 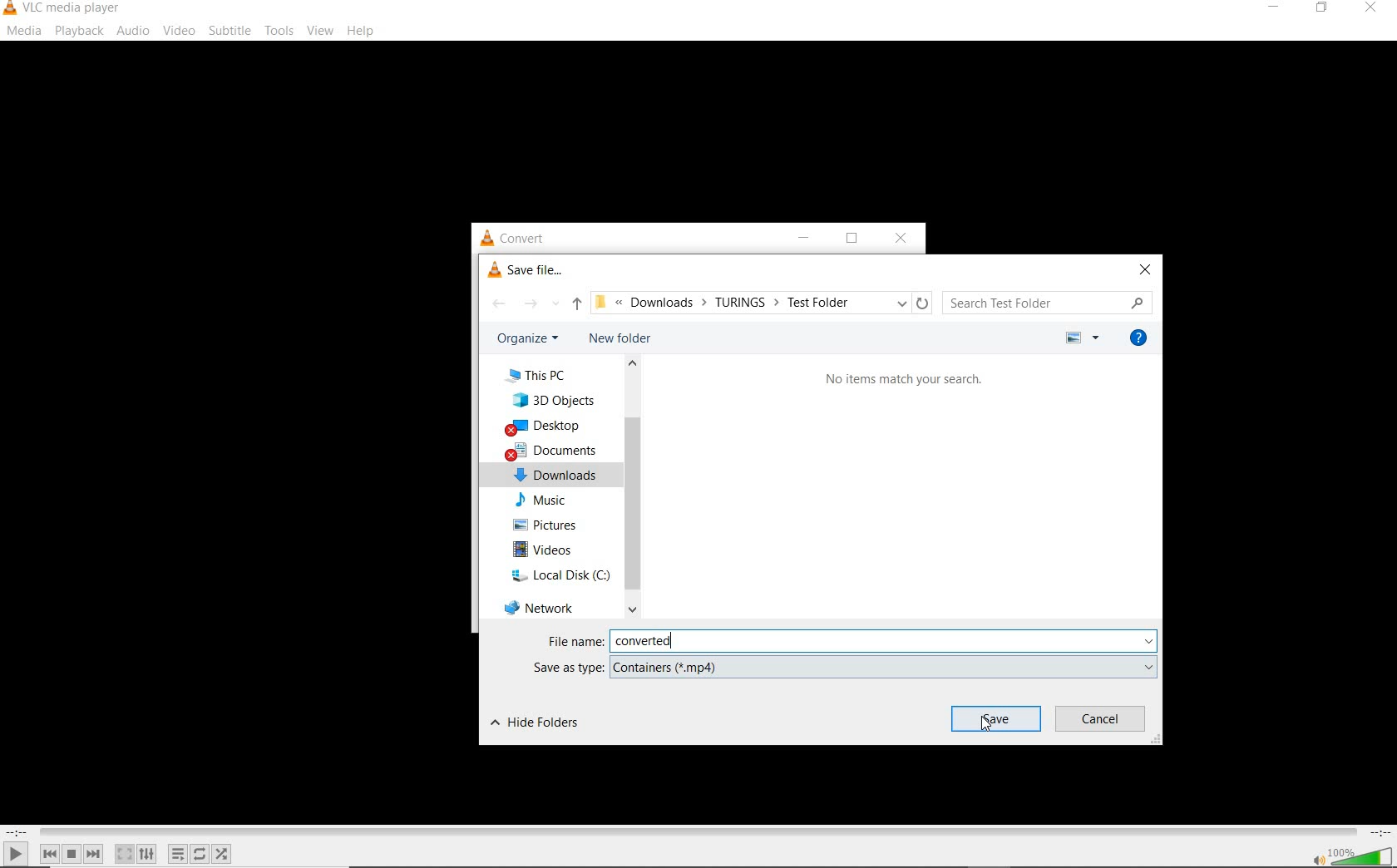 I want to click on stop, so click(x=72, y=854).